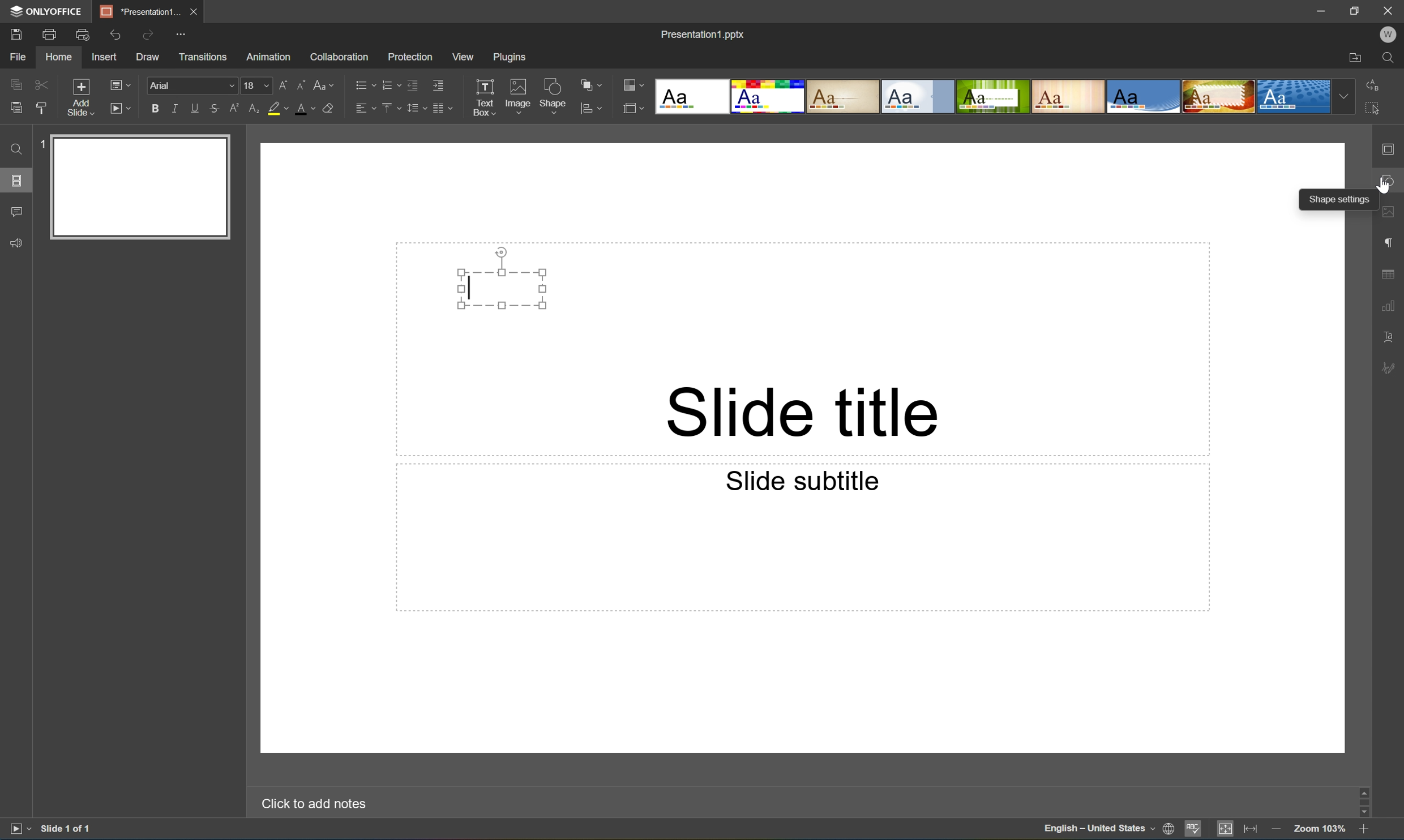 The width and height of the screenshot is (1404, 840). I want to click on Shape, so click(554, 98).